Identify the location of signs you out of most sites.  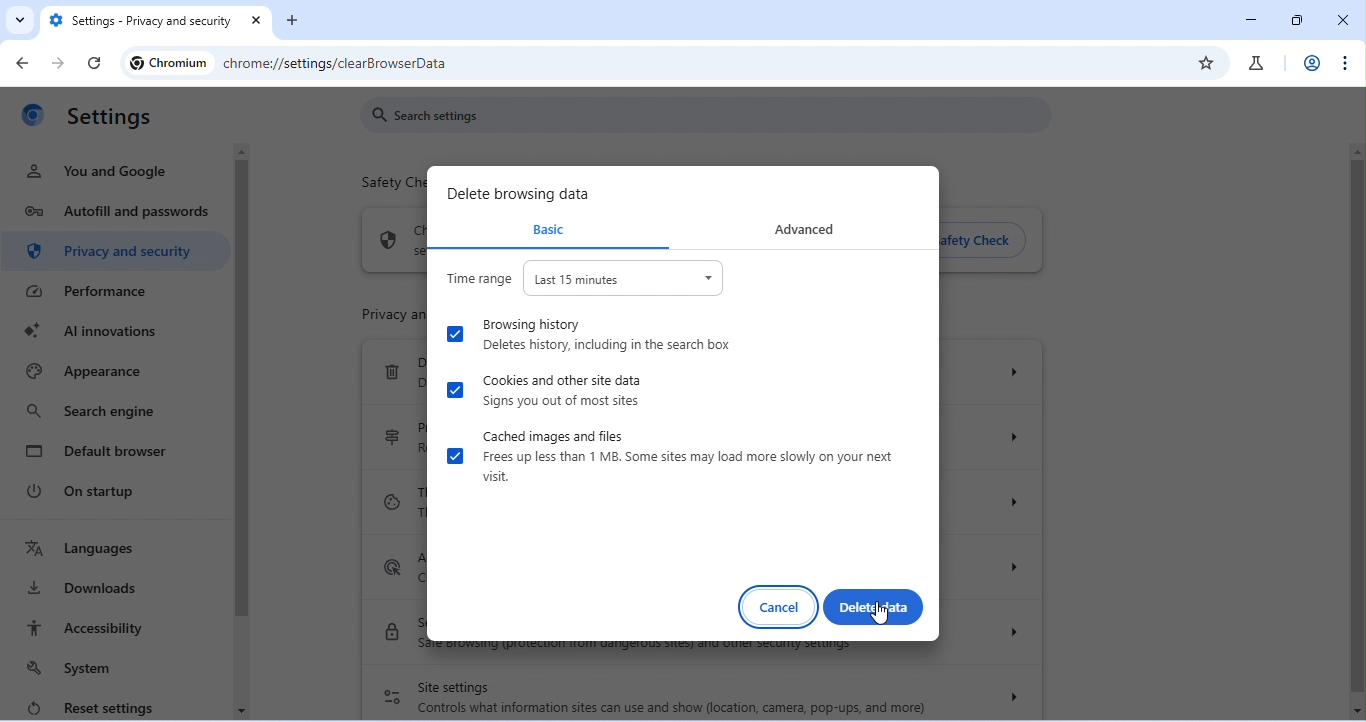
(563, 401).